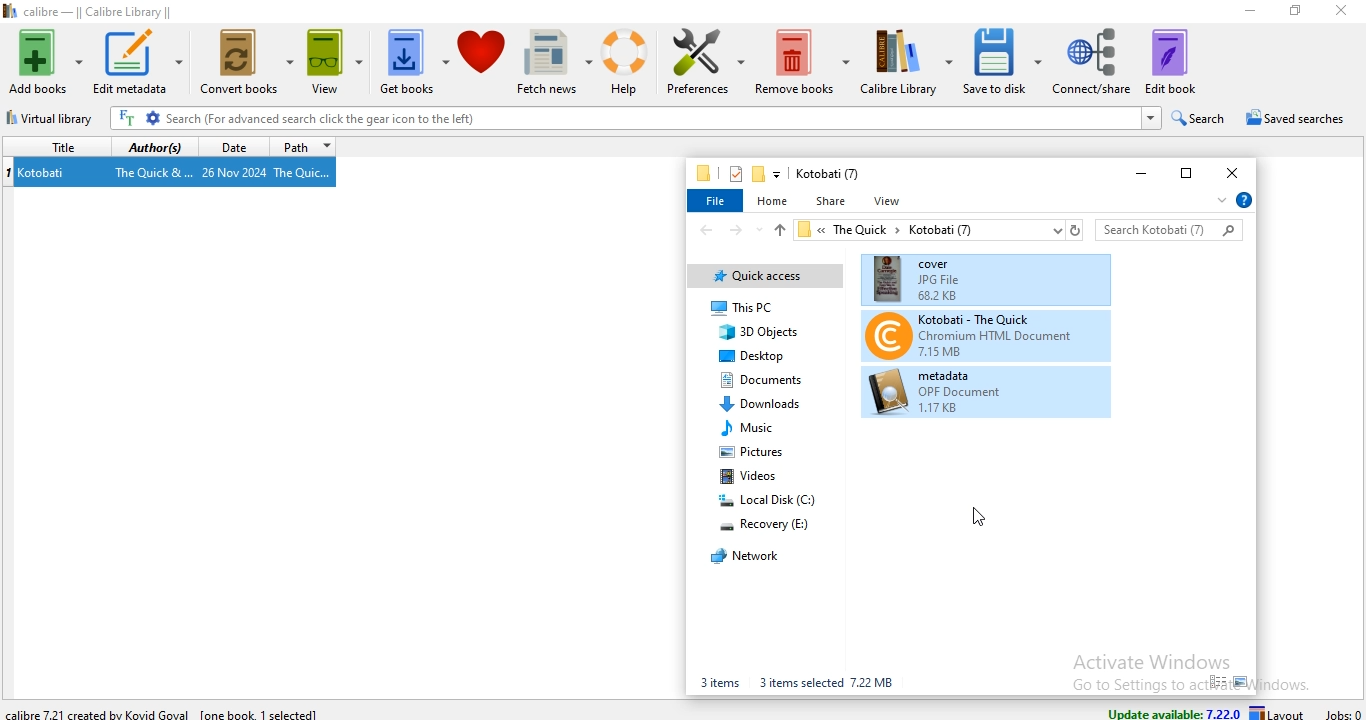 The height and width of the screenshot is (720, 1366). What do you see at coordinates (765, 277) in the screenshot?
I see `quick access` at bounding box center [765, 277].